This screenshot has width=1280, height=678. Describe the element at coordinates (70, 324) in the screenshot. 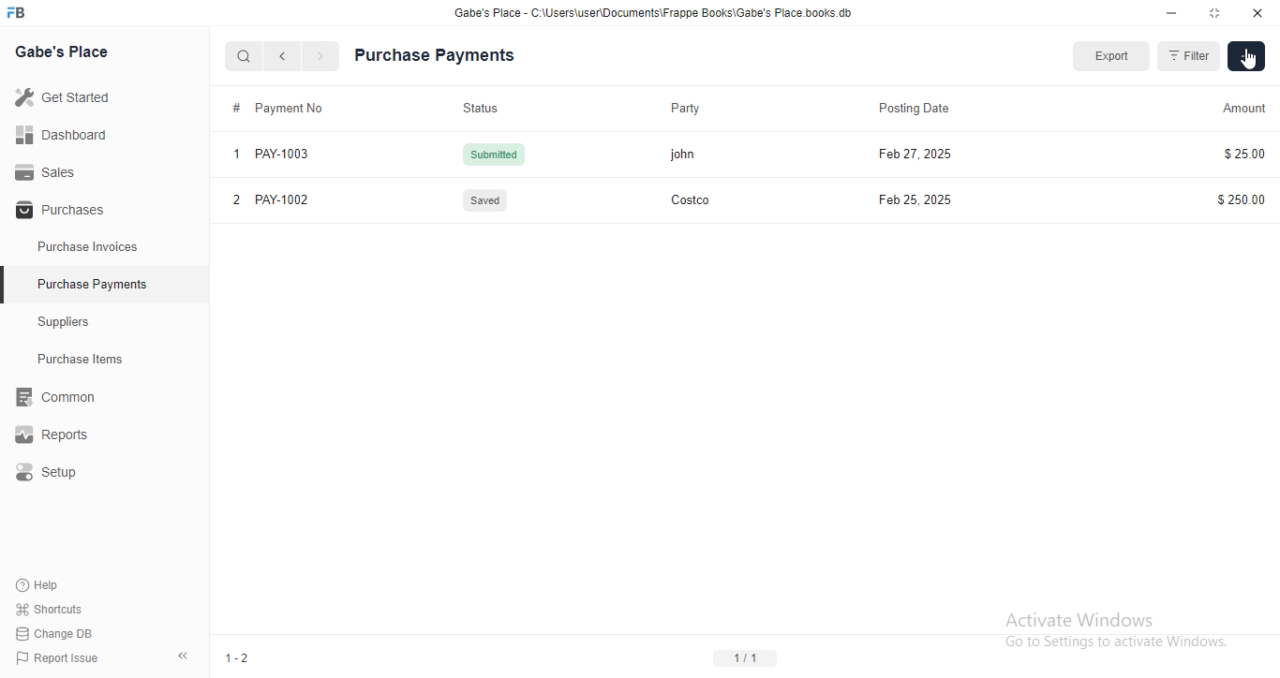

I see `Suppliers` at that location.